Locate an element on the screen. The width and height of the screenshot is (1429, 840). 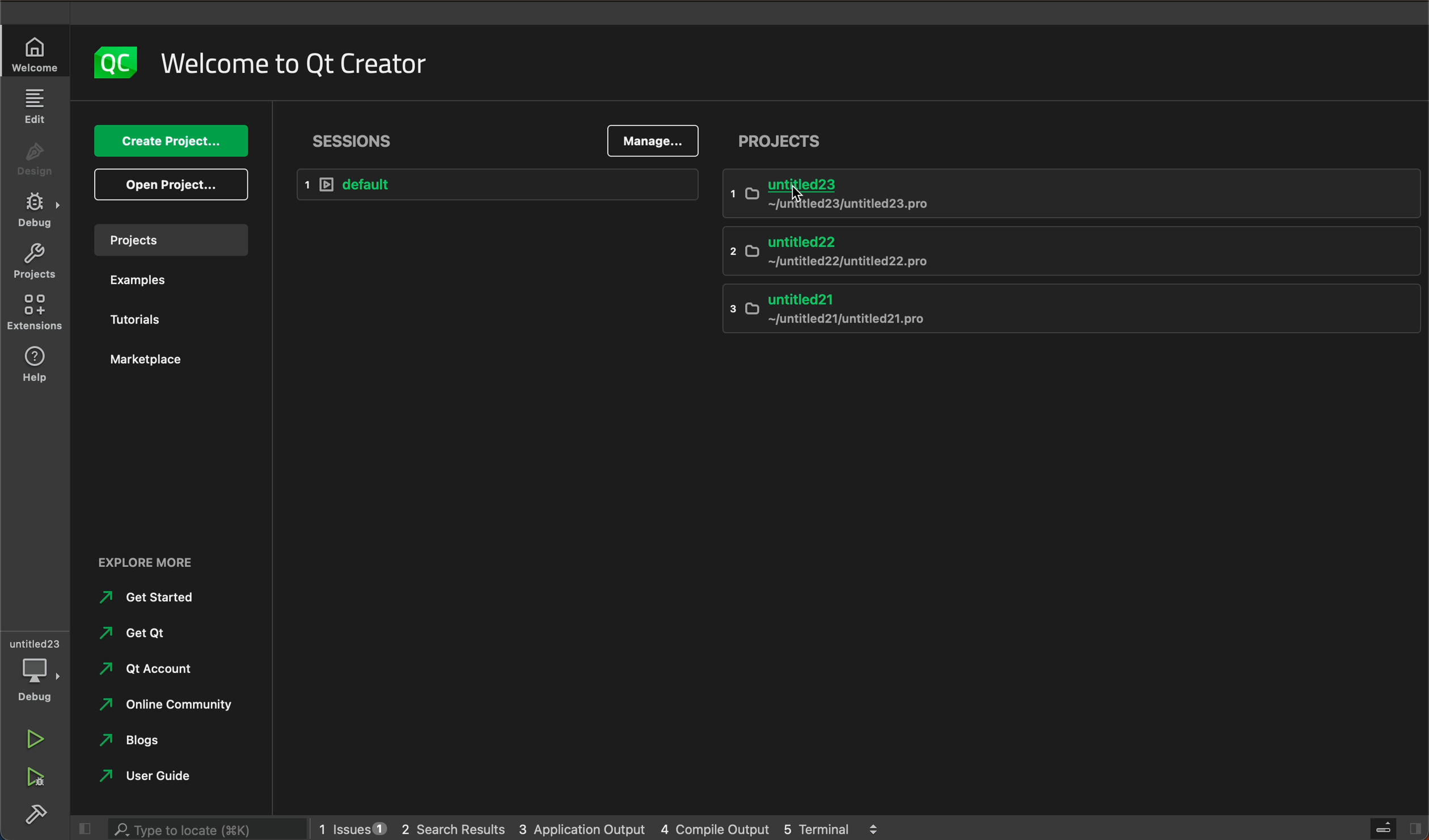
help is located at coordinates (35, 367).